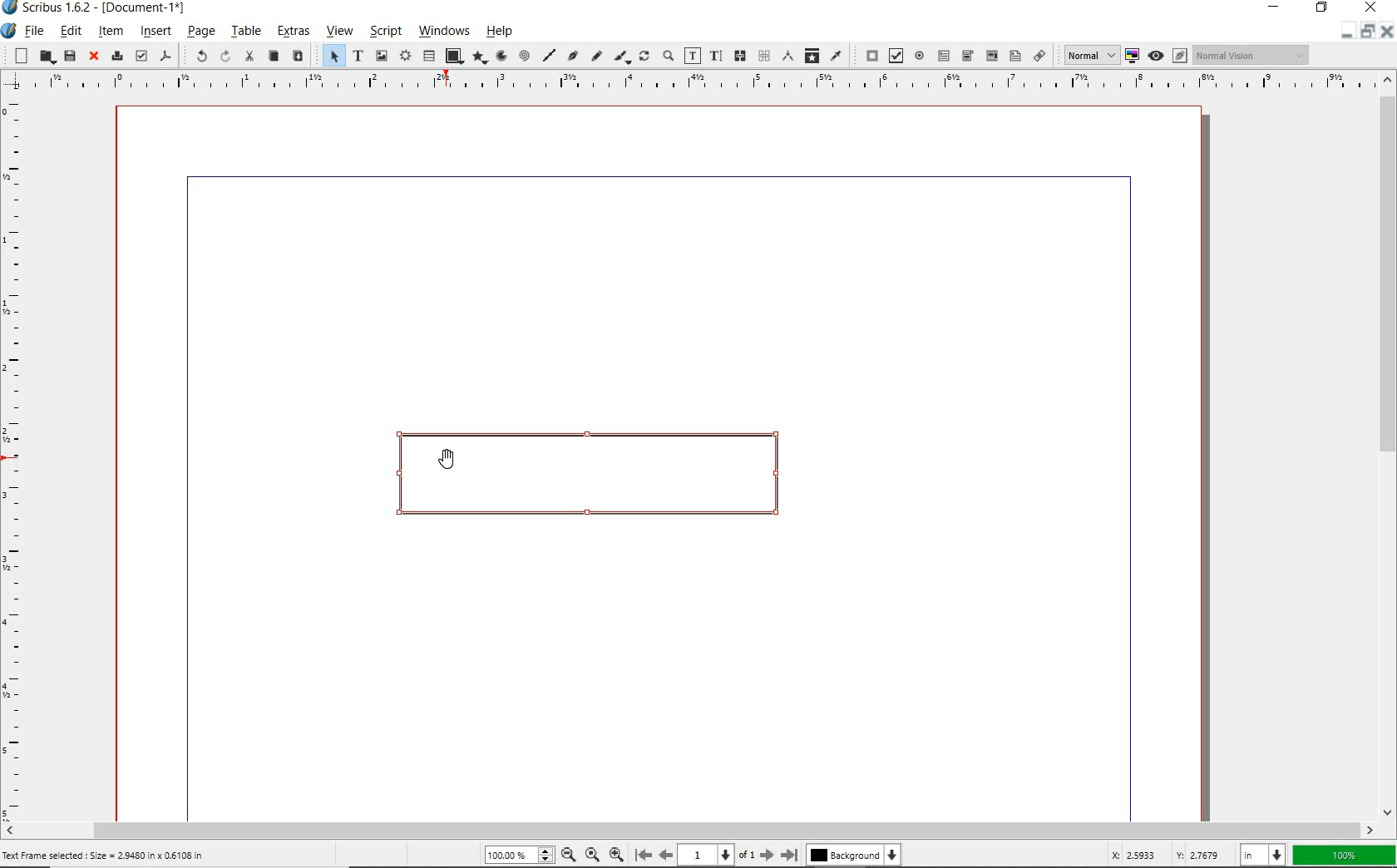 The height and width of the screenshot is (868, 1397). What do you see at coordinates (46, 57) in the screenshot?
I see `open` at bounding box center [46, 57].